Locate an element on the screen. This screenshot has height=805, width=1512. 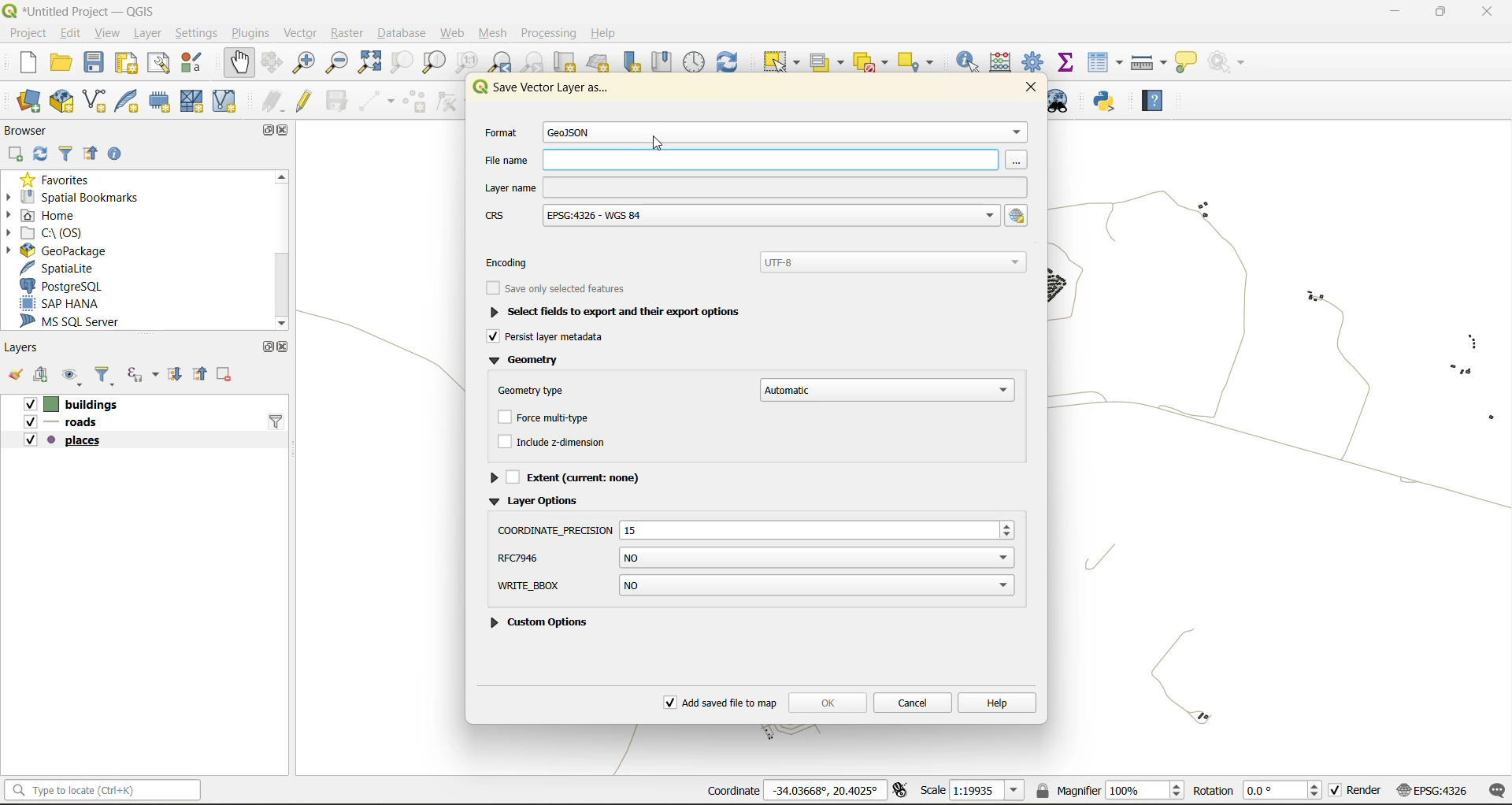
zoom last is located at coordinates (497, 62).